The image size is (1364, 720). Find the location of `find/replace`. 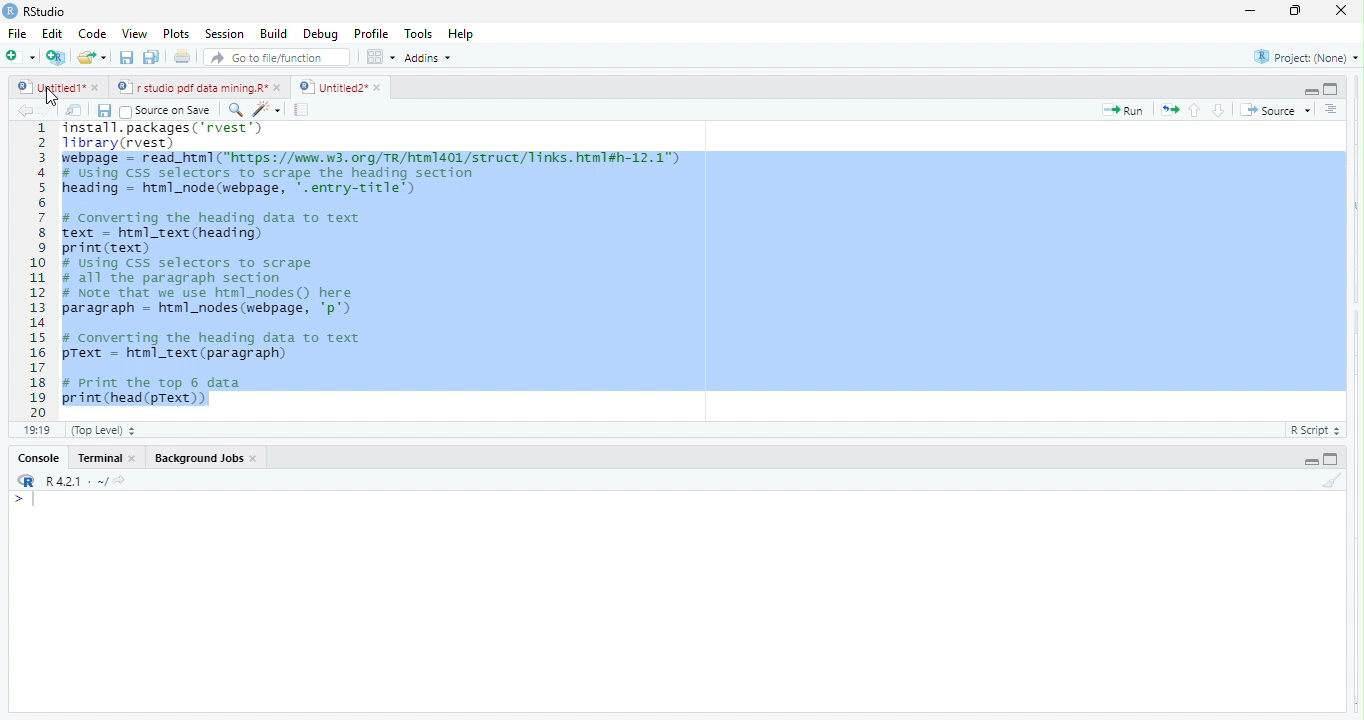

find/replace is located at coordinates (234, 109).